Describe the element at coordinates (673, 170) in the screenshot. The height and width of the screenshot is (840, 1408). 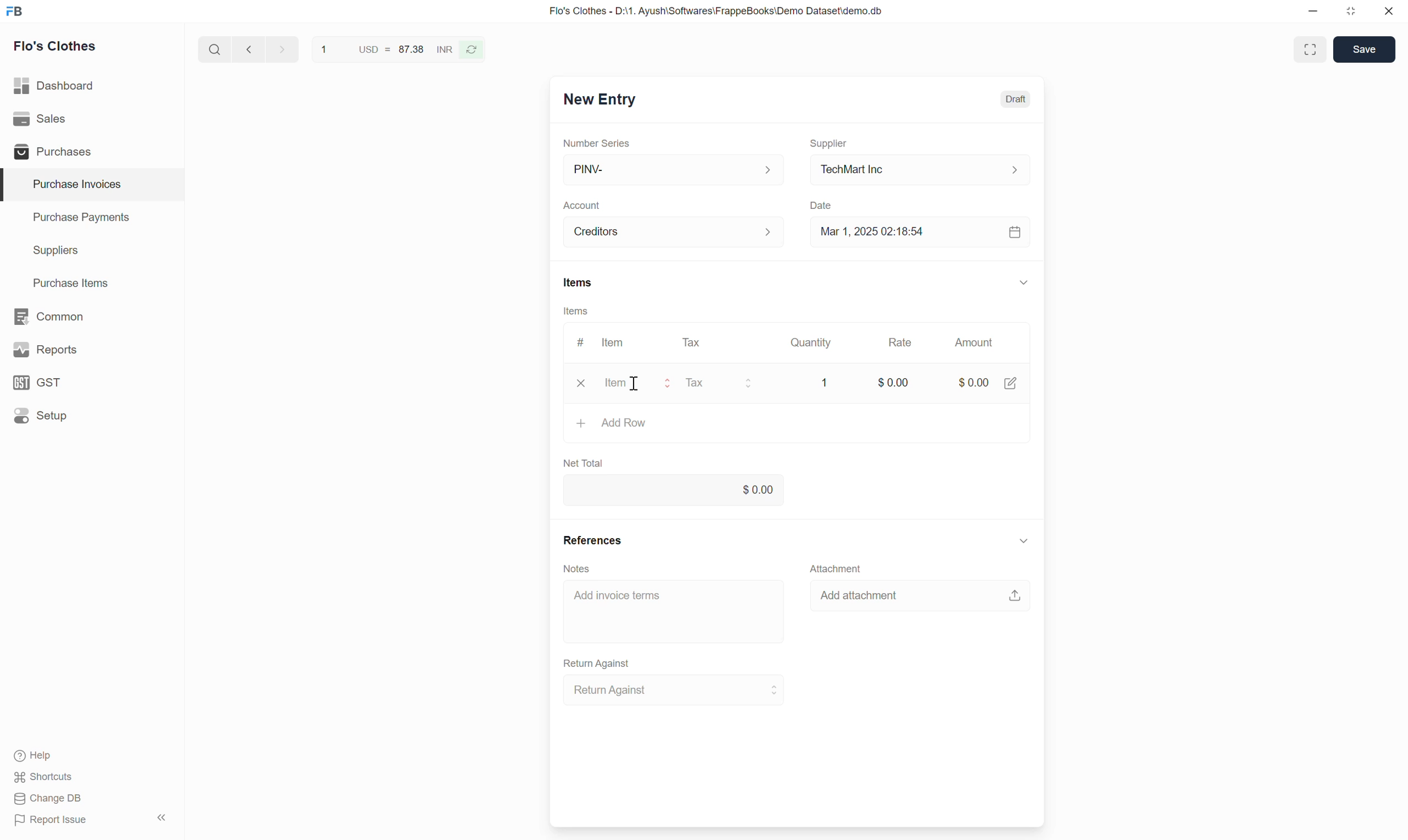
I see `PINV-` at that location.